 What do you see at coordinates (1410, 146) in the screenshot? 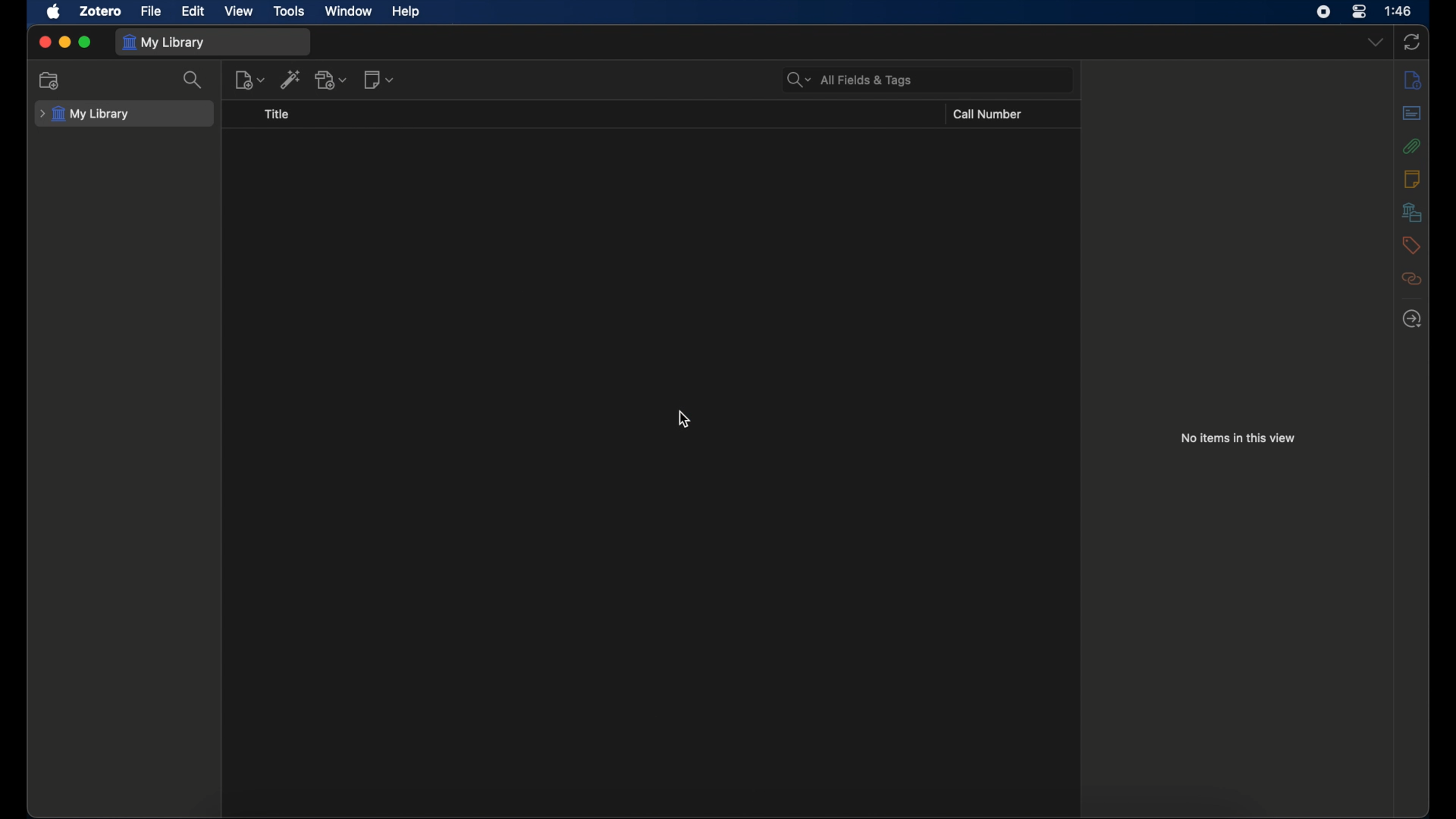
I see `attachments` at bounding box center [1410, 146].